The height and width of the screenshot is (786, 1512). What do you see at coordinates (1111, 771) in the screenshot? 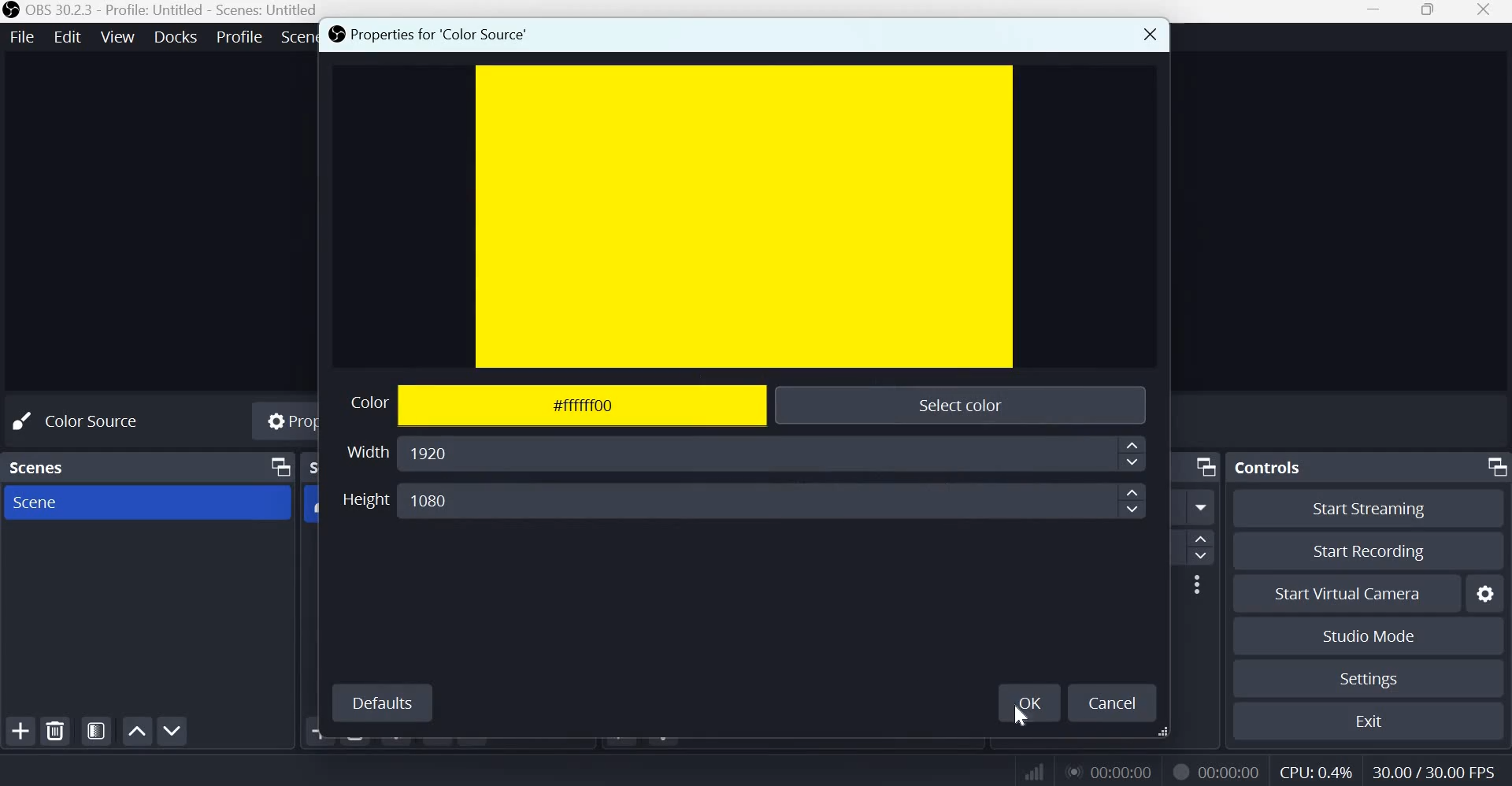
I see `Live Duration Timer` at bounding box center [1111, 771].